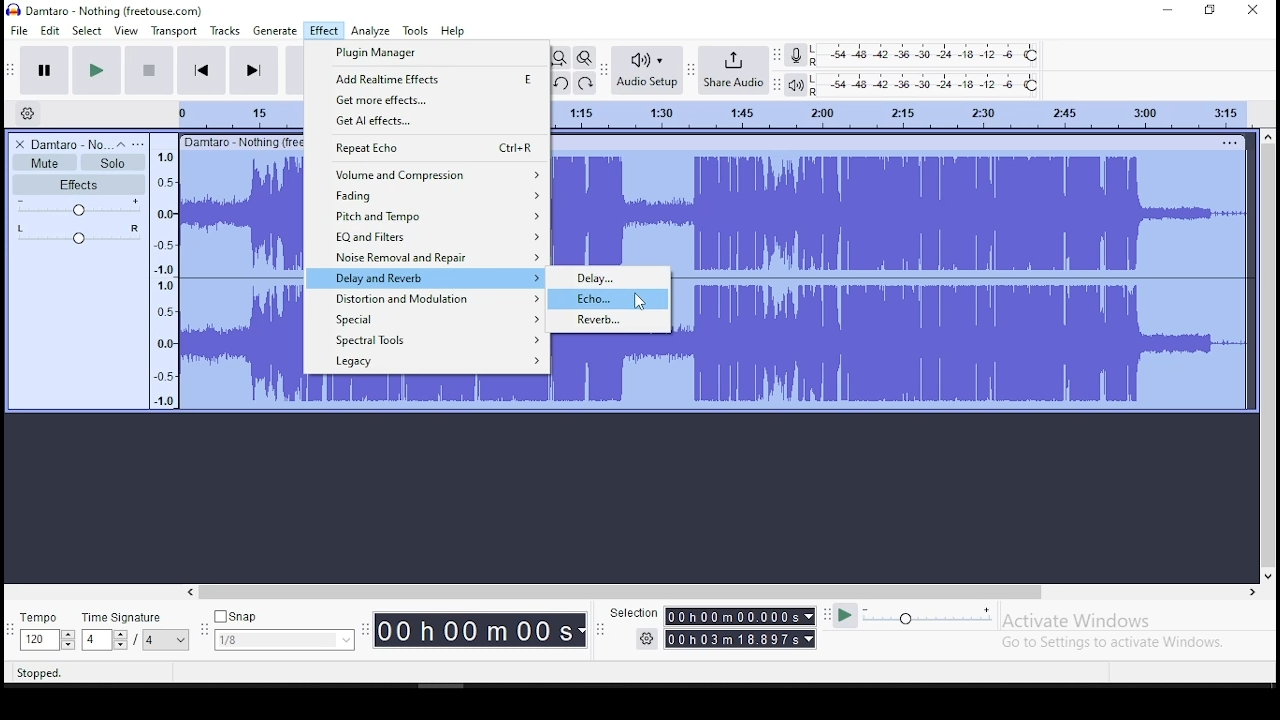 The image size is (1280, 720). Describe the element at coordinates (426, 196) in the screenshot. I see `fading` at that location.